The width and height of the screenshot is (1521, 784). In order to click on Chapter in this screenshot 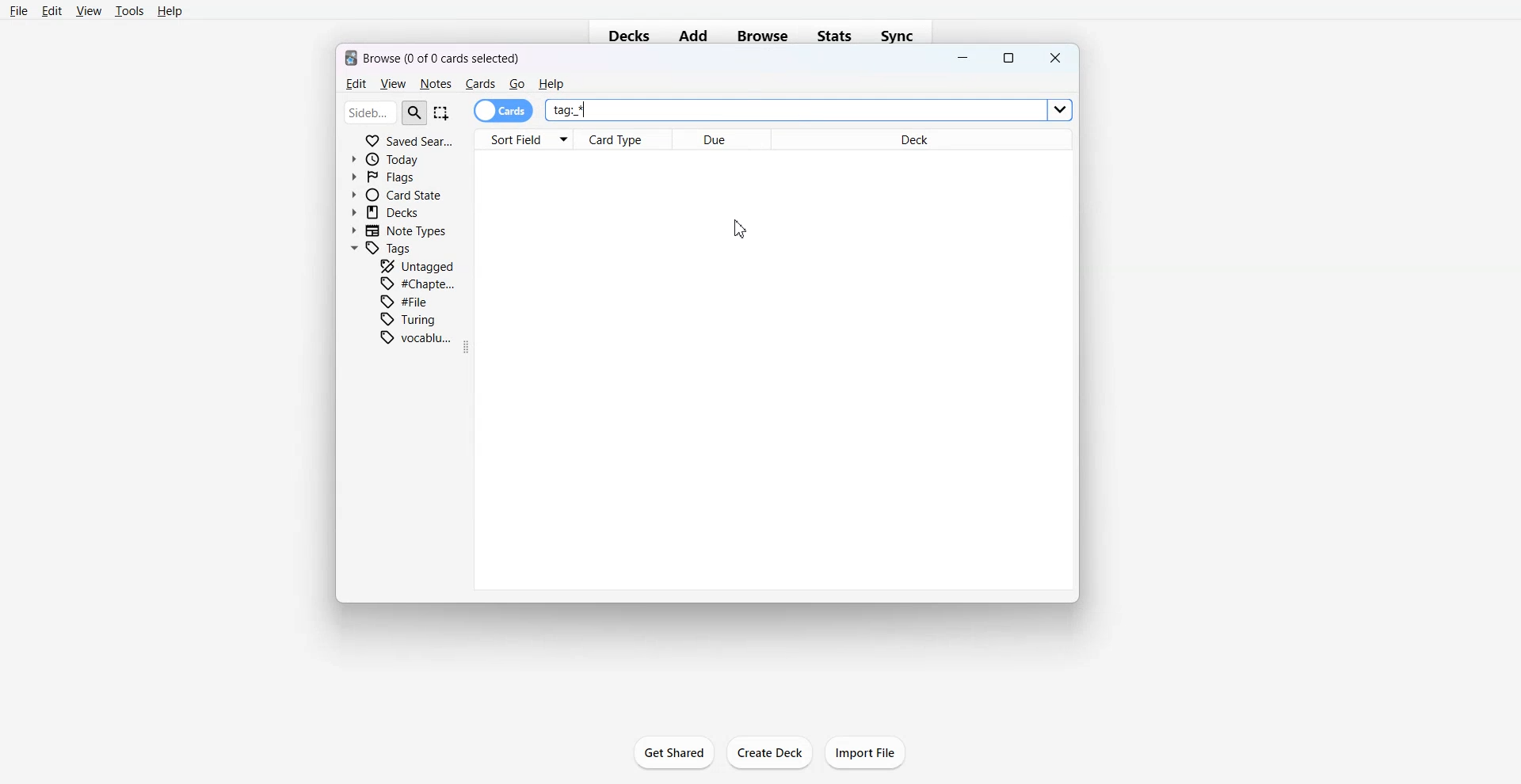, I will do `click(419, 283)`.